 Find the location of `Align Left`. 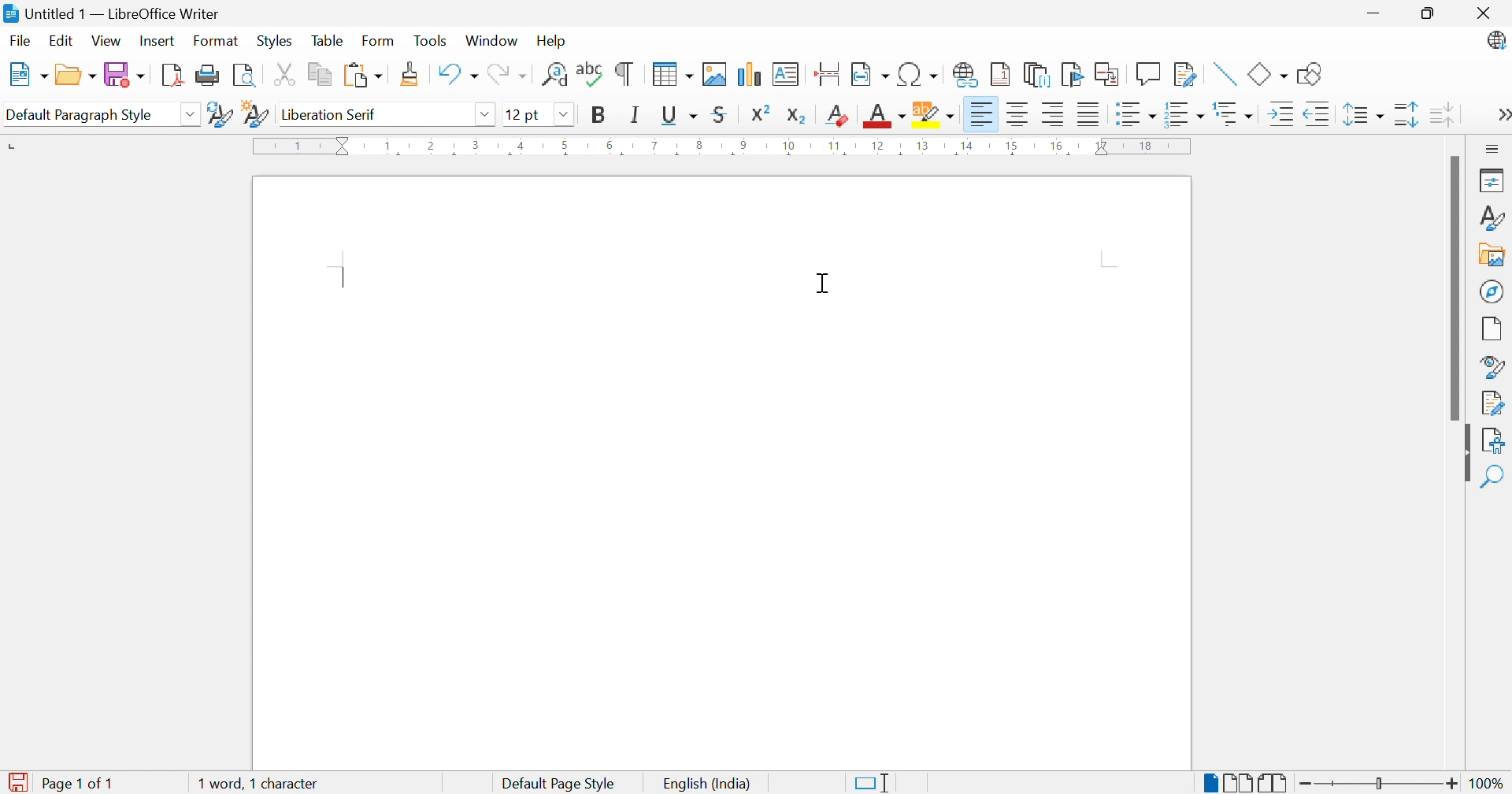

Align Left is located at coordinates (980, 114).